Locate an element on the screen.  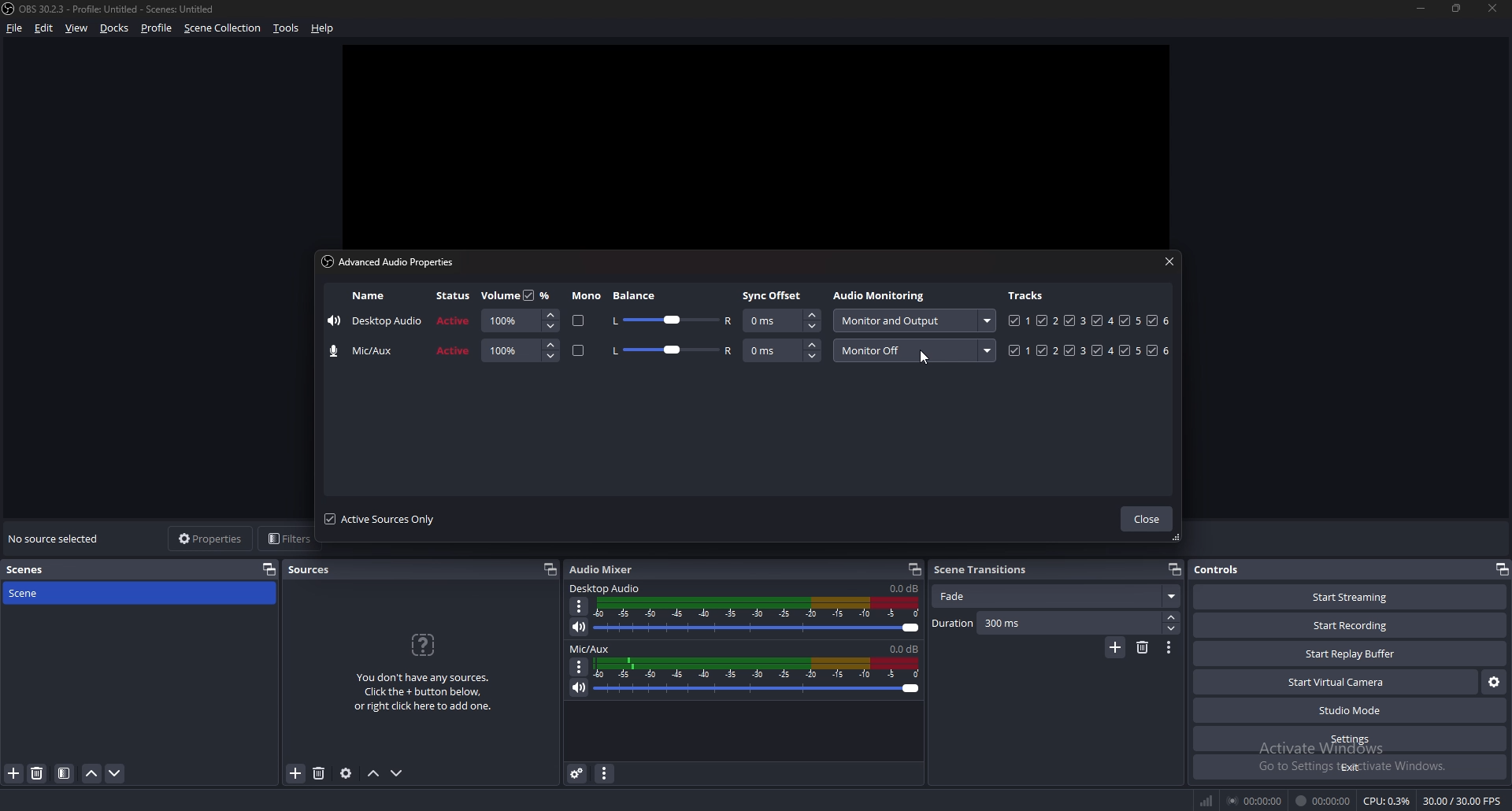
sync offset adjust is located at coordinates (782, 350).